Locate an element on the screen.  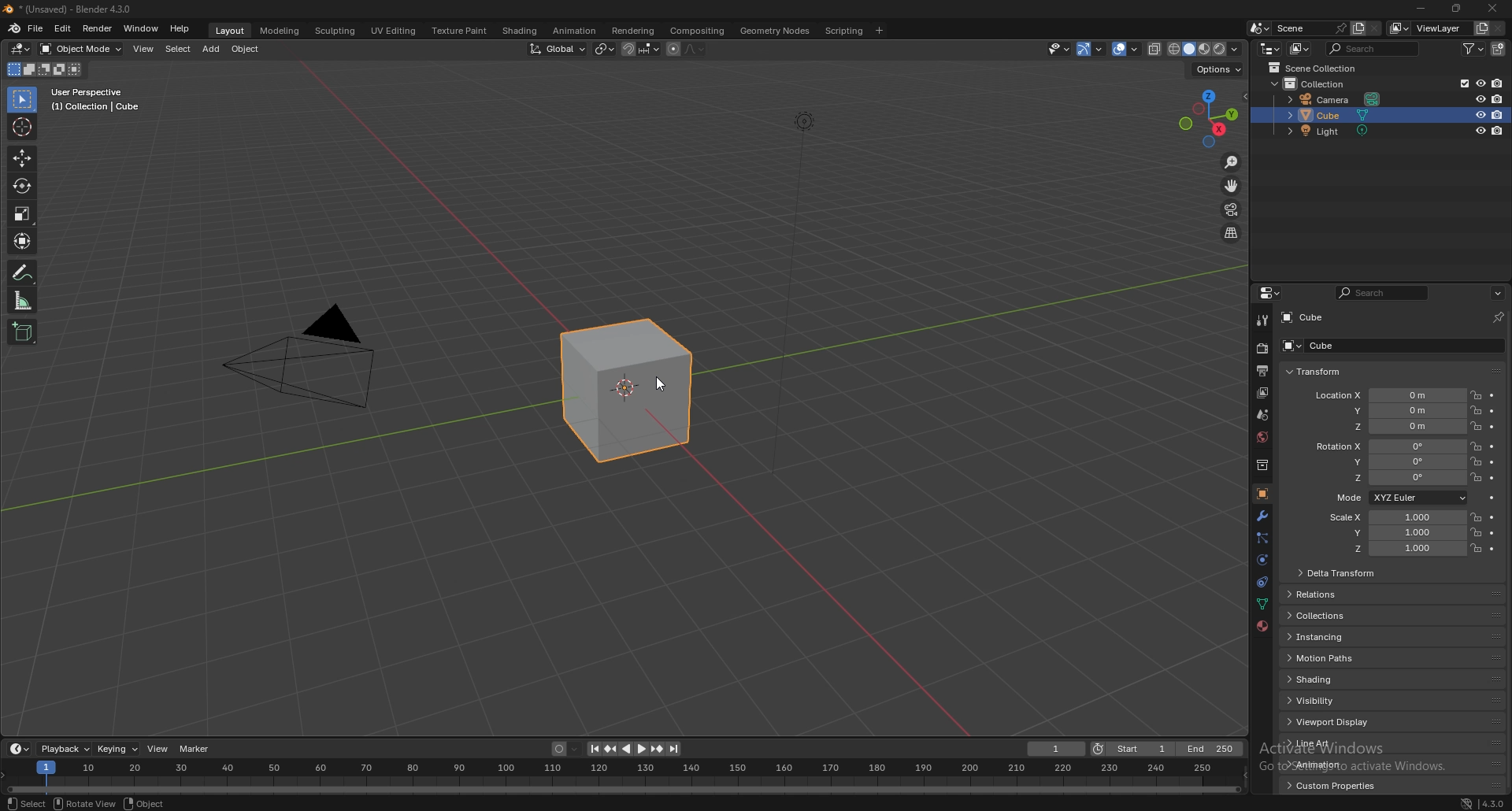
current frame is located at coordinates (1054, 749).